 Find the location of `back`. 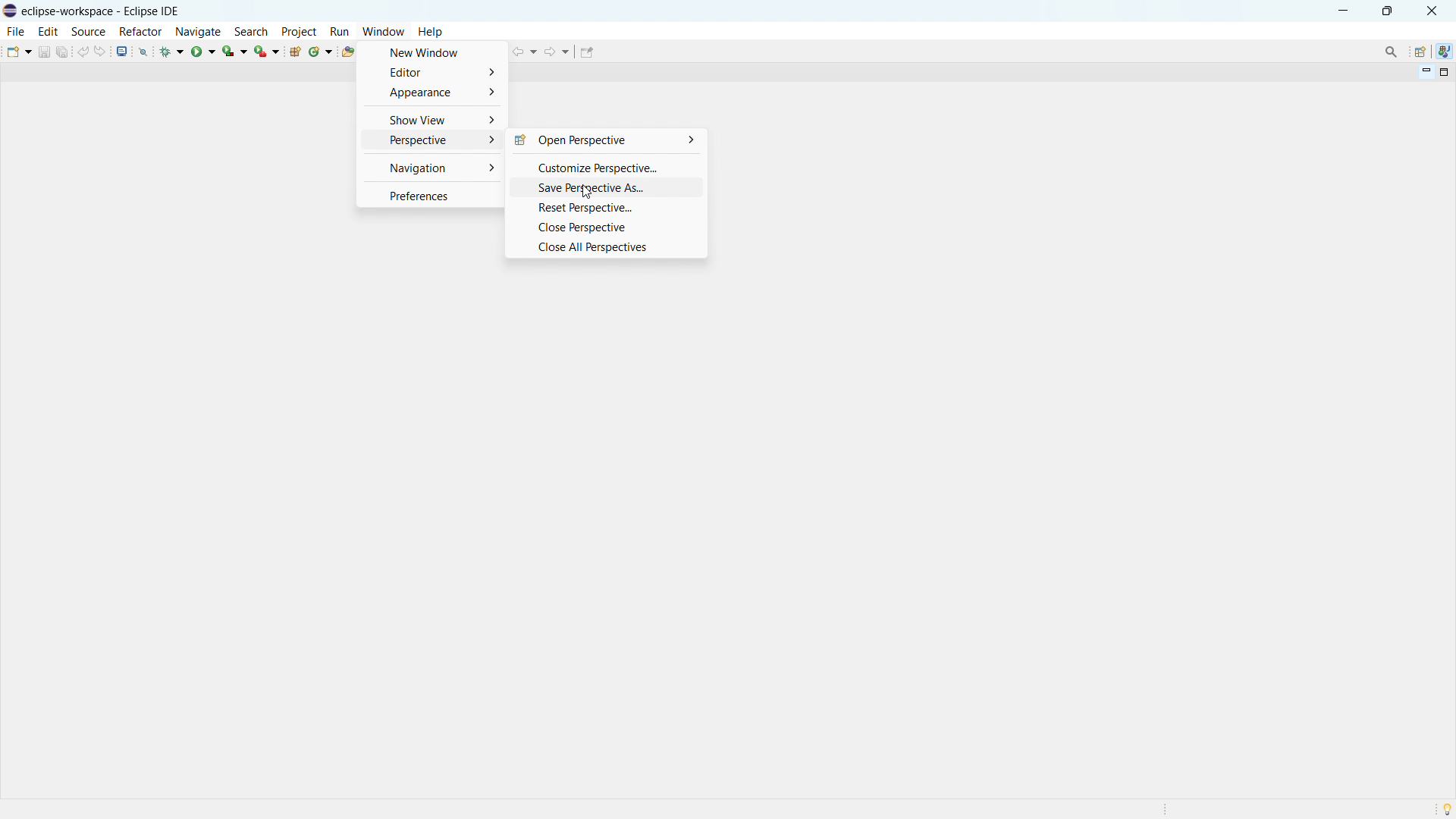

back is located at coordinates (525, 52).